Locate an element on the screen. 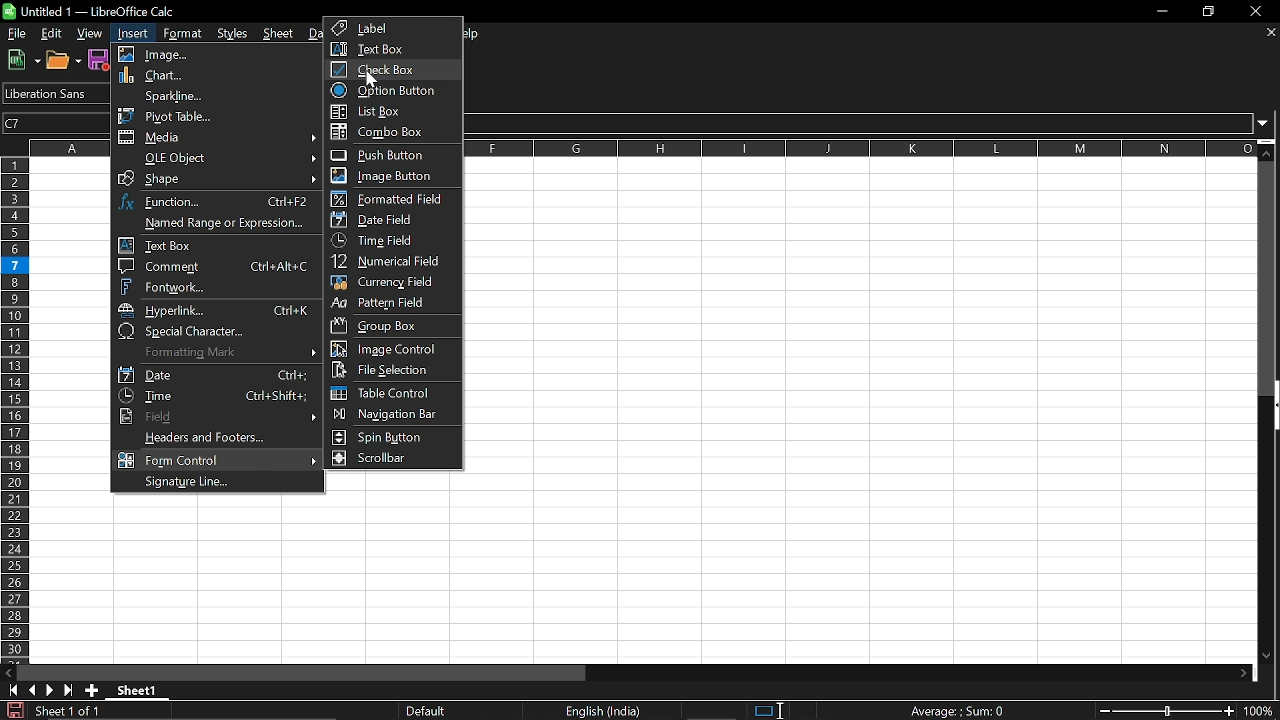 The height and width of the screenshot is (720, 1280). Save is located at coordinates (13, 710).